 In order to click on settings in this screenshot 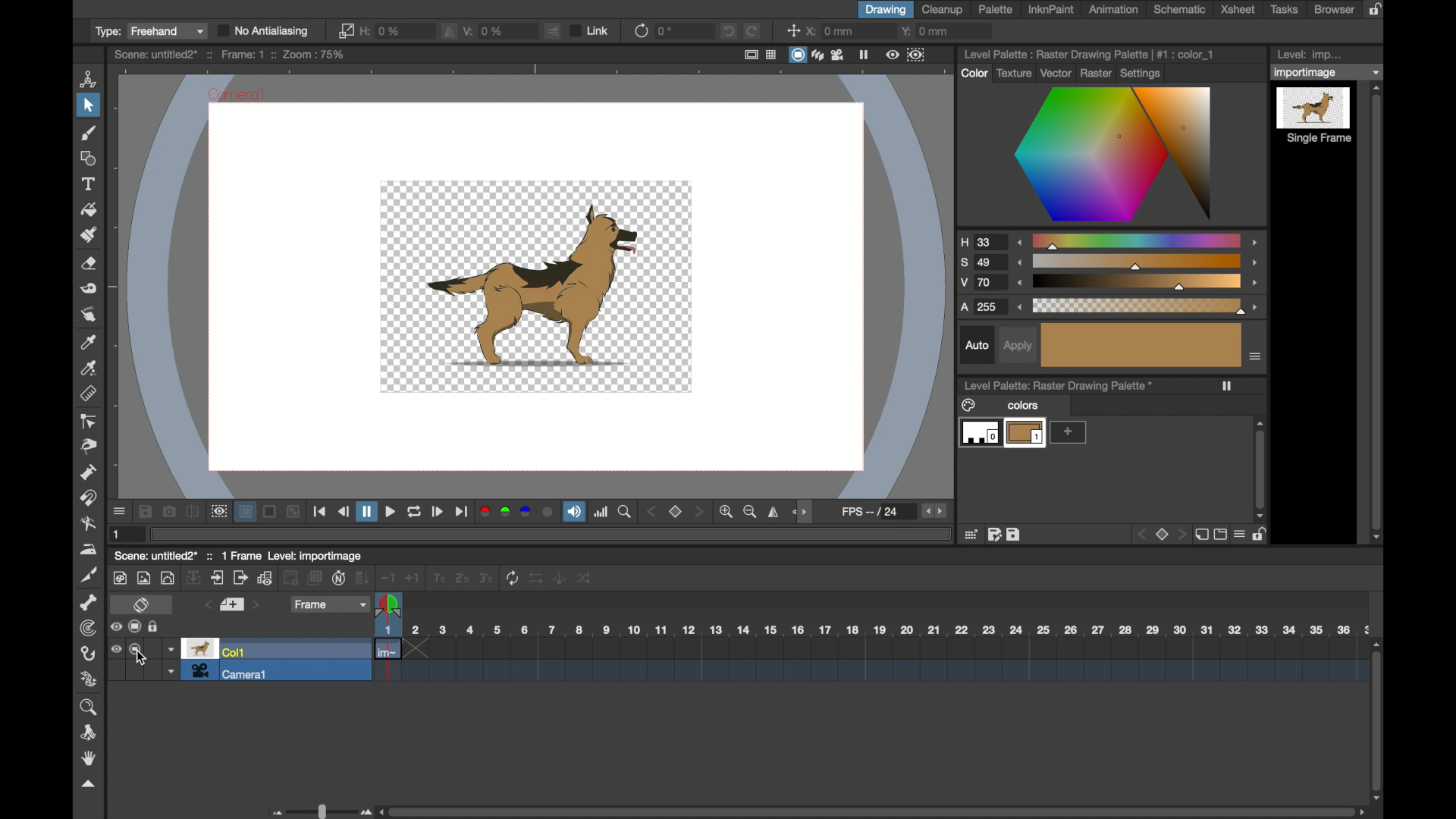, I will do `click(1143, 72)`.